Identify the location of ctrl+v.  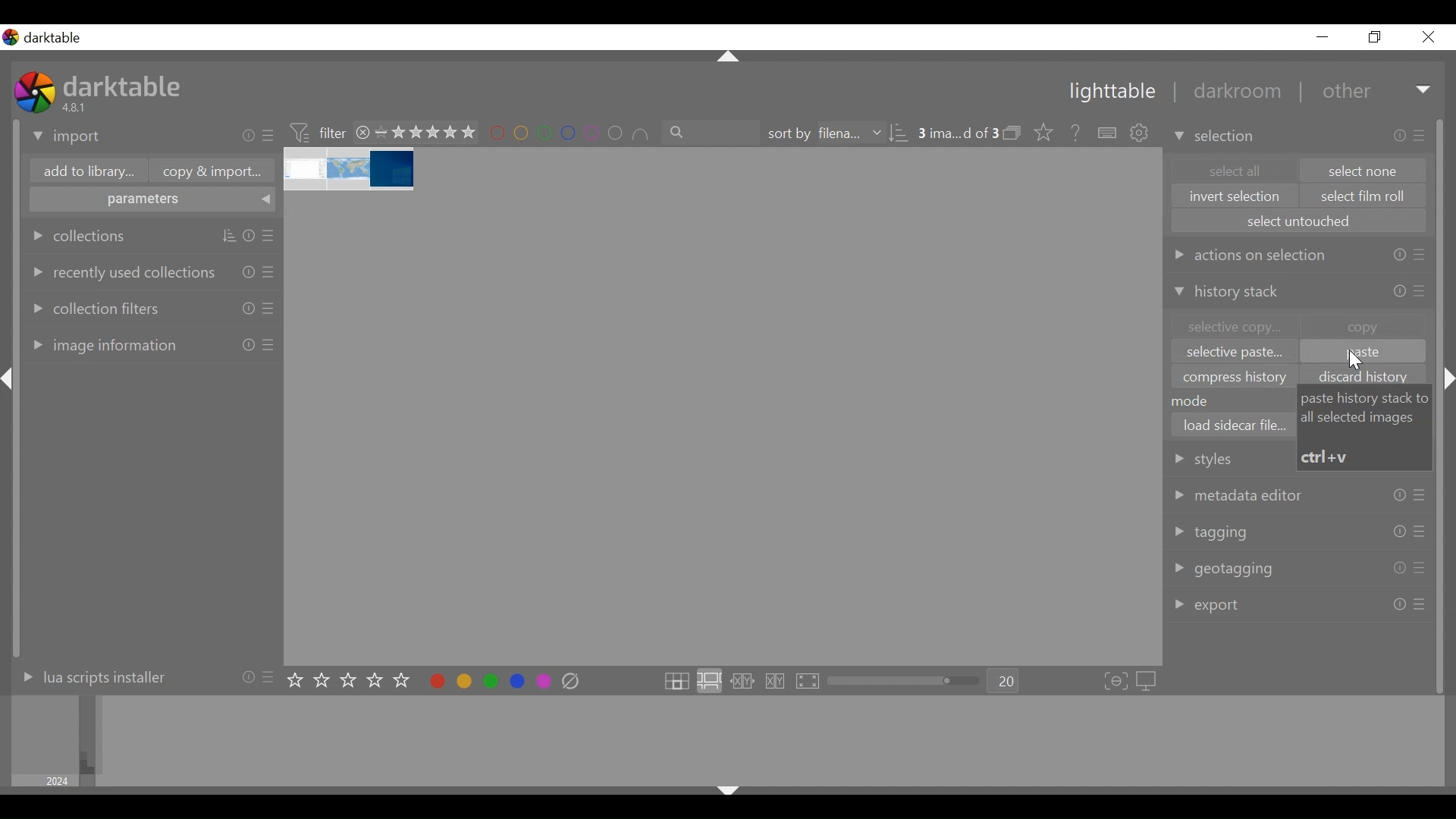
(1327, 457).